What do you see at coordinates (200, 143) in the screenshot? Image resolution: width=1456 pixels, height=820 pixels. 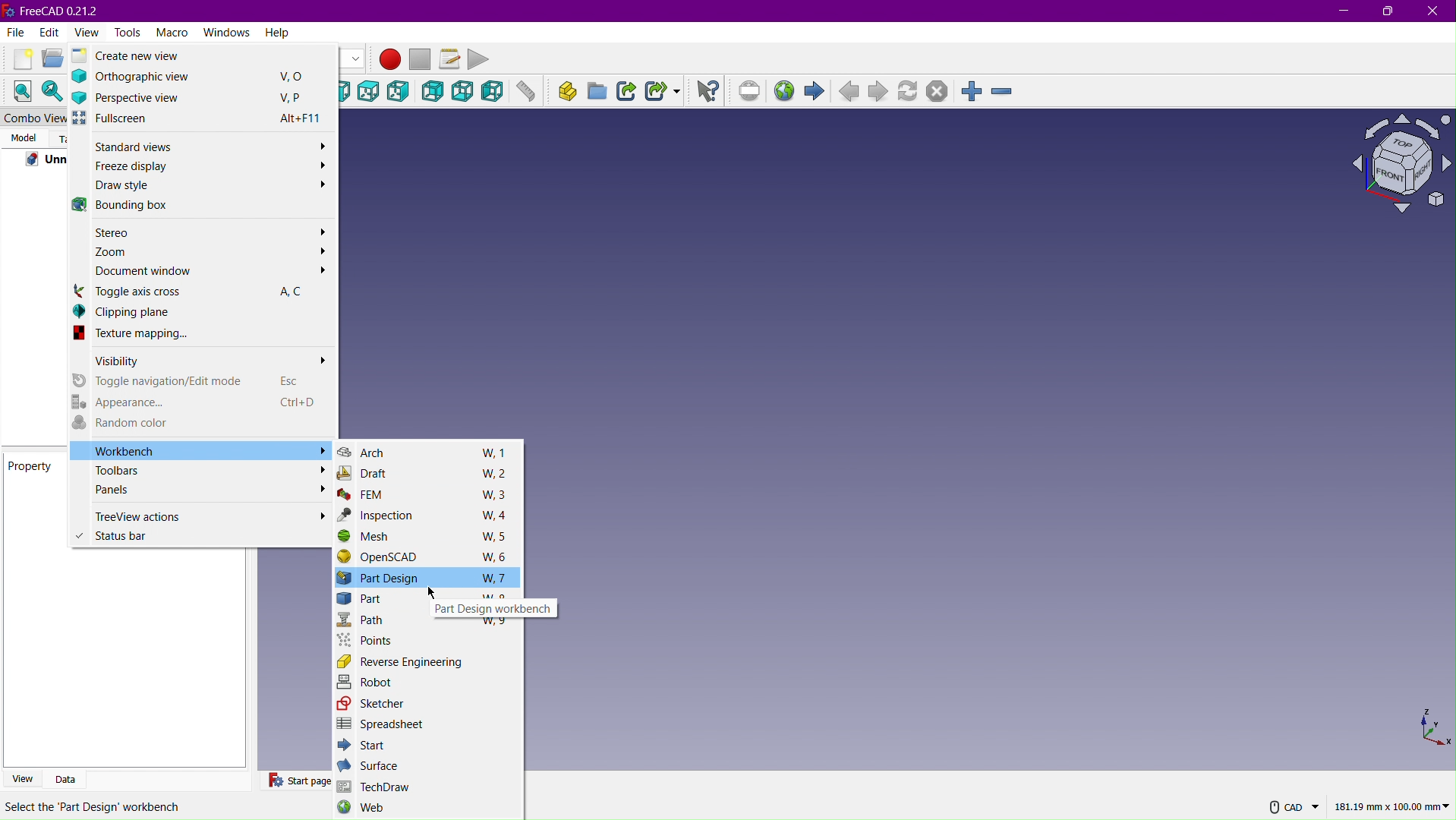 I see `Standard views` at bounding box center [200, 143].